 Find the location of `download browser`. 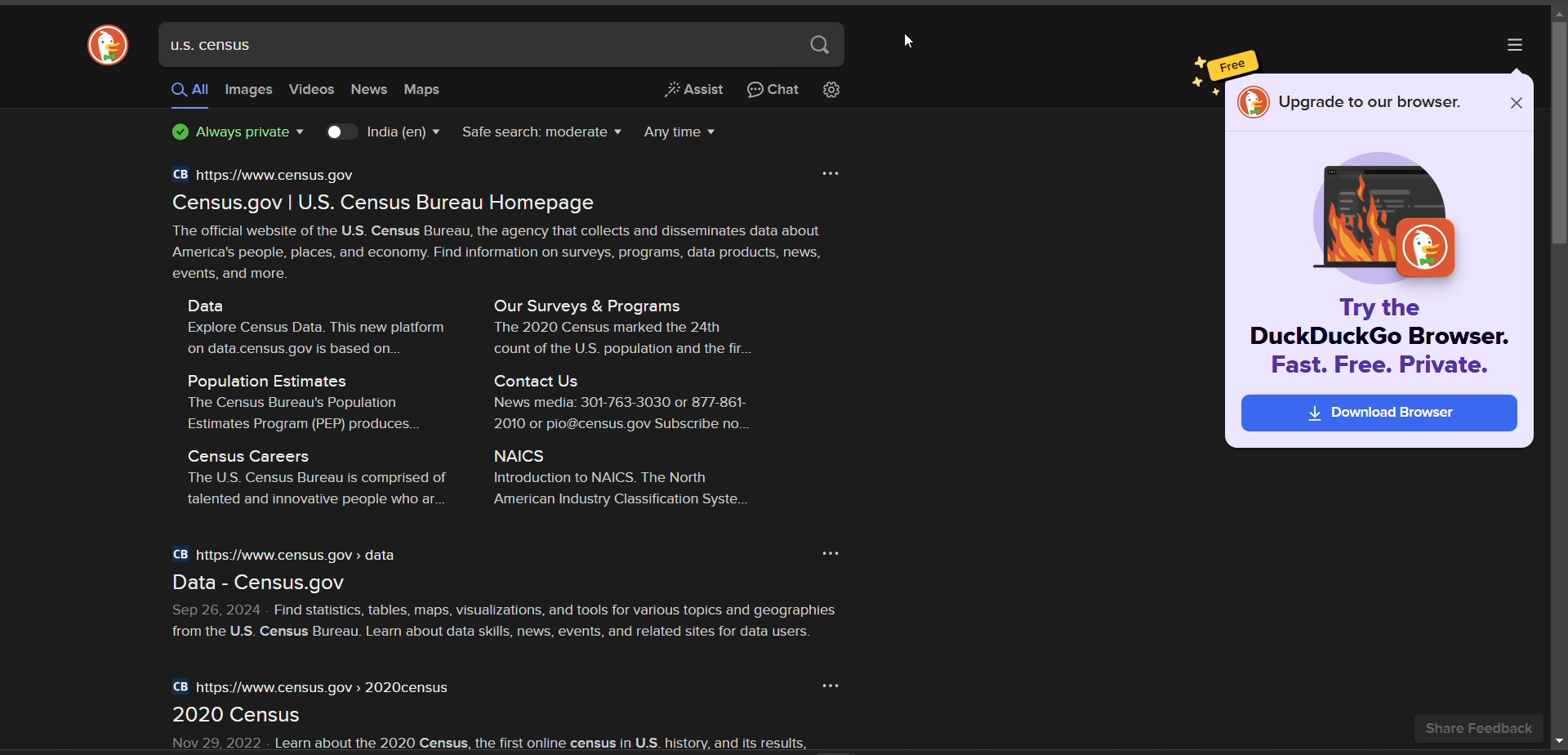

download browser is located at coordinates (1379, 416).